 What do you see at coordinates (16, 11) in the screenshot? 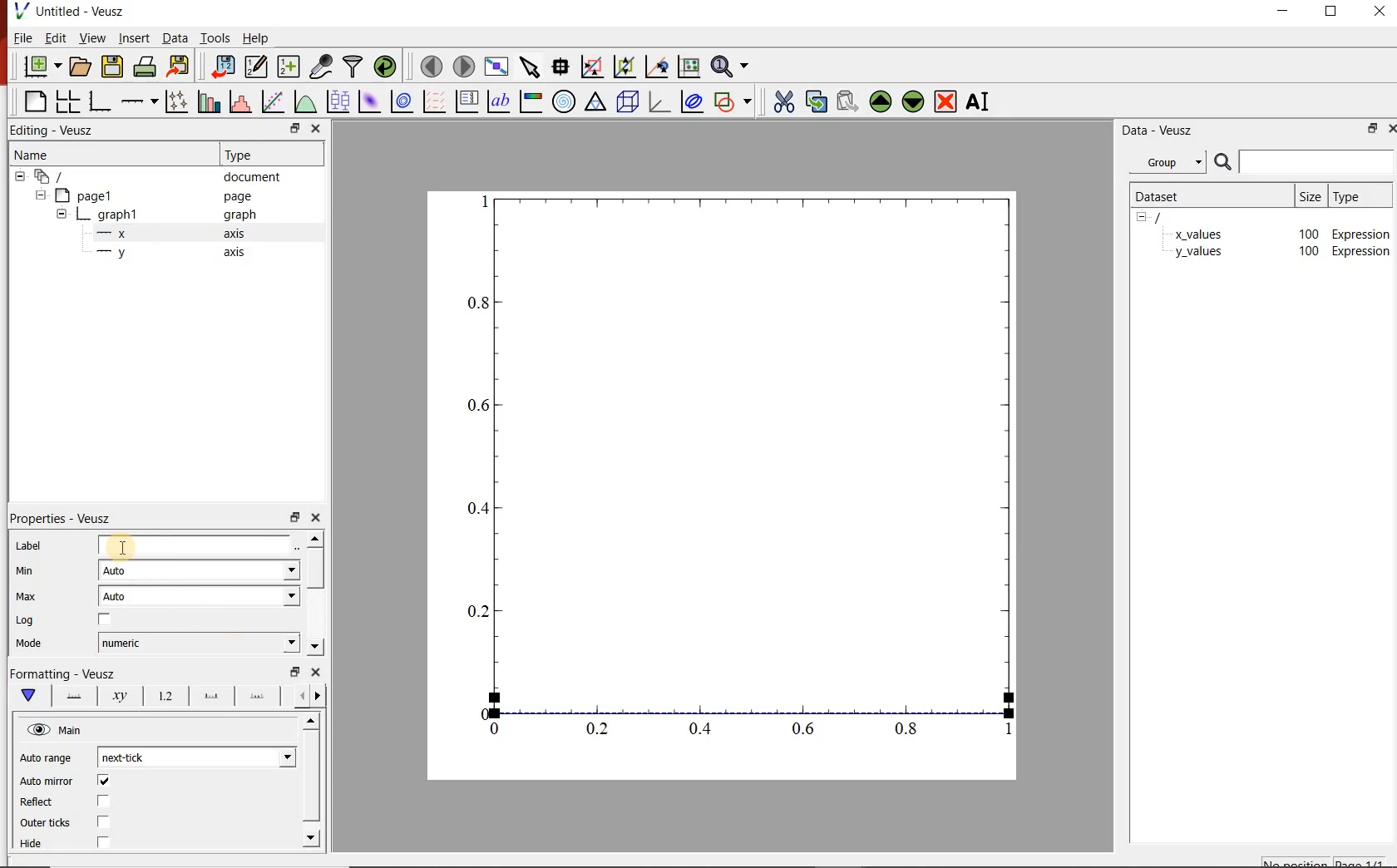
I see `veusz logo` at bounding box center [16, 11].